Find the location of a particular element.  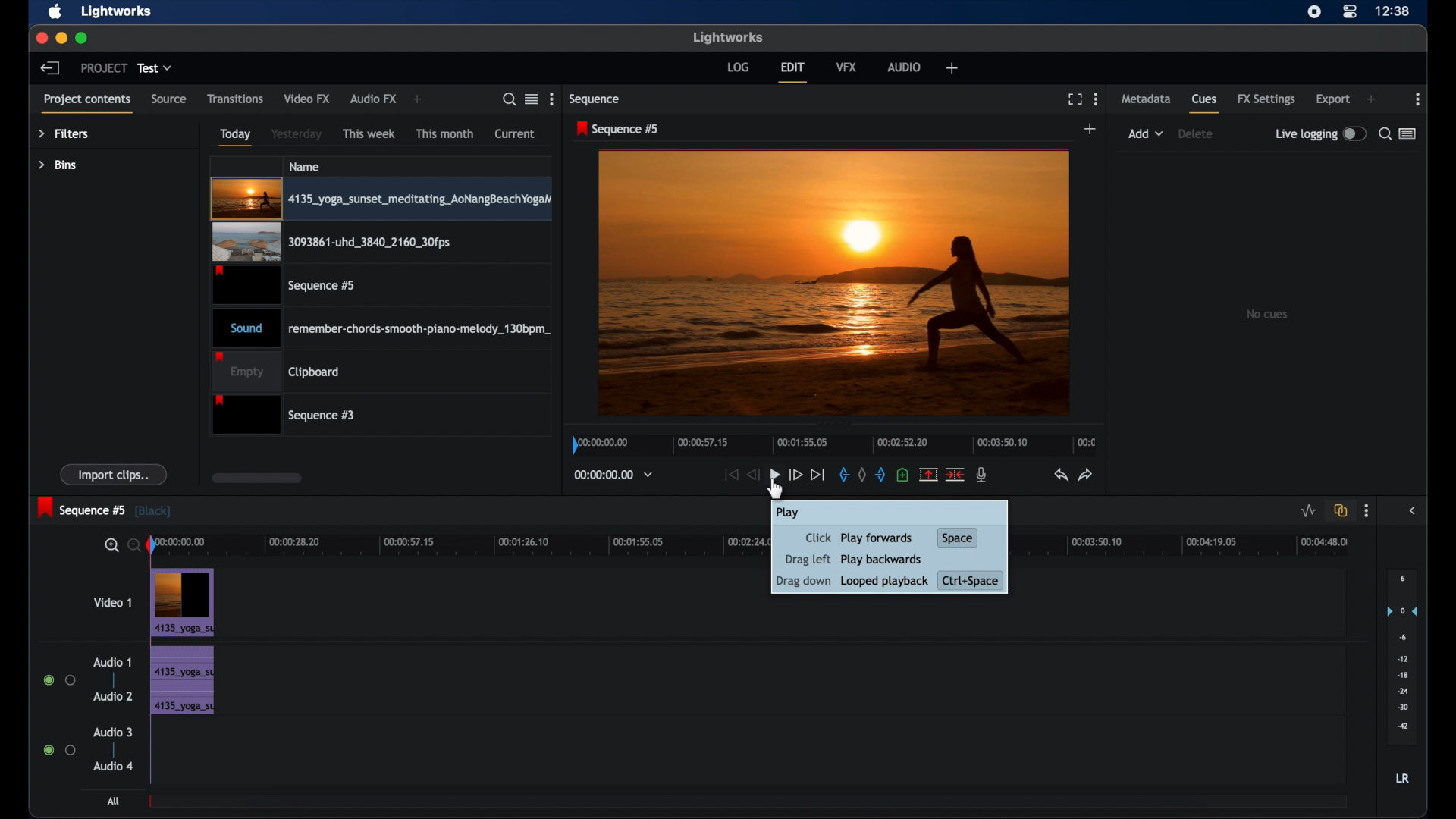

clear all marks is located at coordinates (861, 474).